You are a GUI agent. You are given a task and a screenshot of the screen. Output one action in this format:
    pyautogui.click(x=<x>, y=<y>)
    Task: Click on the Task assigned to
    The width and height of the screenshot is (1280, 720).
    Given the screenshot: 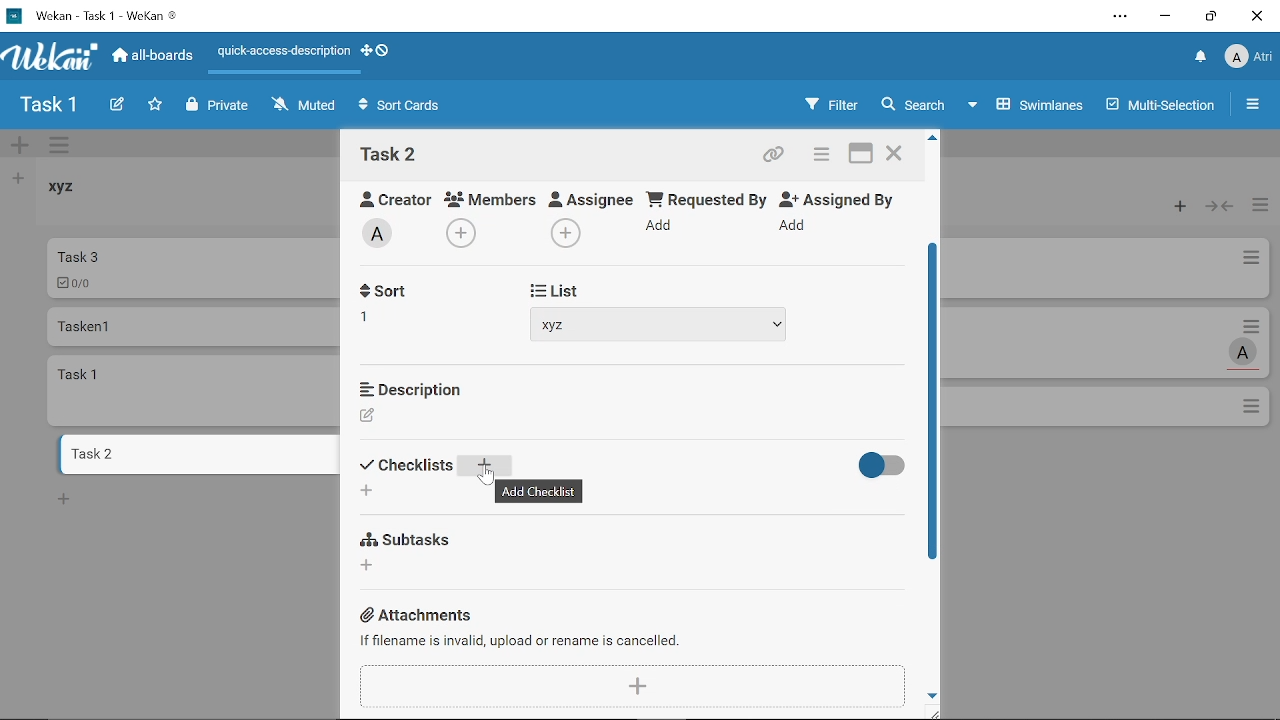 What is the action you would take?
    pyautogui.click(x=1245, y=352)
    